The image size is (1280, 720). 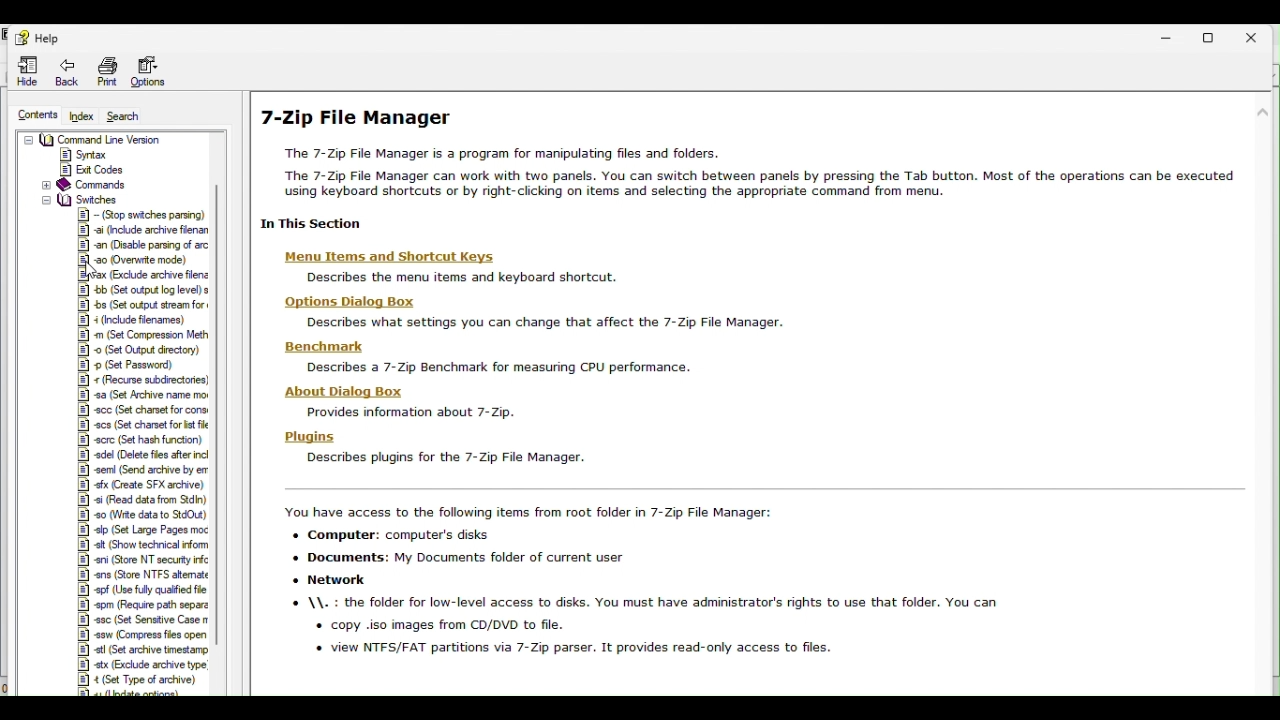 What do you see at coordinates (140, 498) in the screenshot?
I see `[8] +i (Read data from Stdin)` at bounding box center [140, 498].